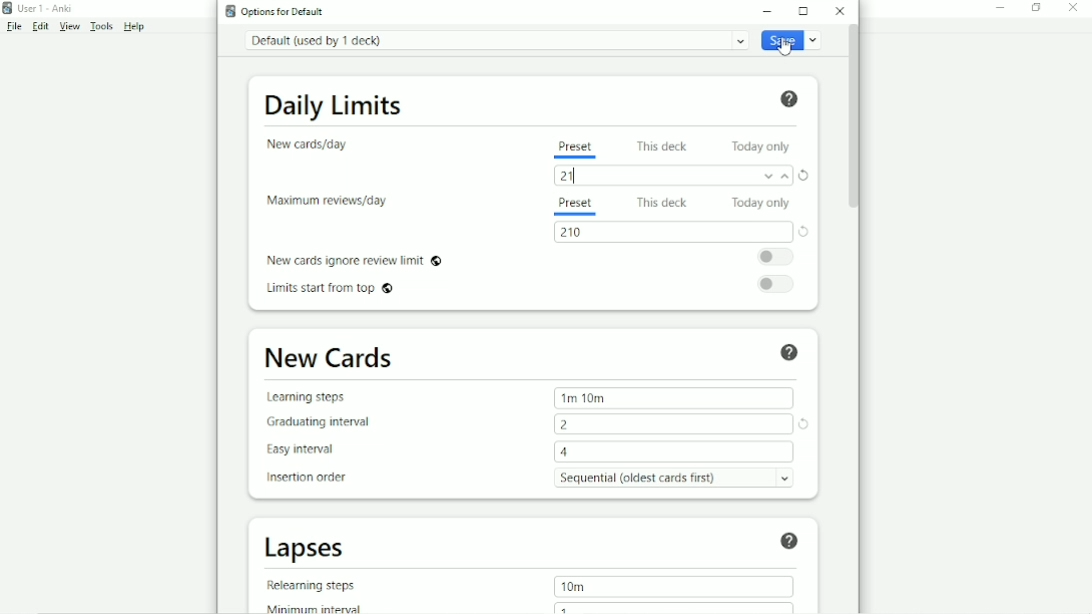 This screenshot has width=1092, height=614. What do you see at coordinates (578, 150) in the screenshot?
I see `Preset` at bounding box center [578, 150].